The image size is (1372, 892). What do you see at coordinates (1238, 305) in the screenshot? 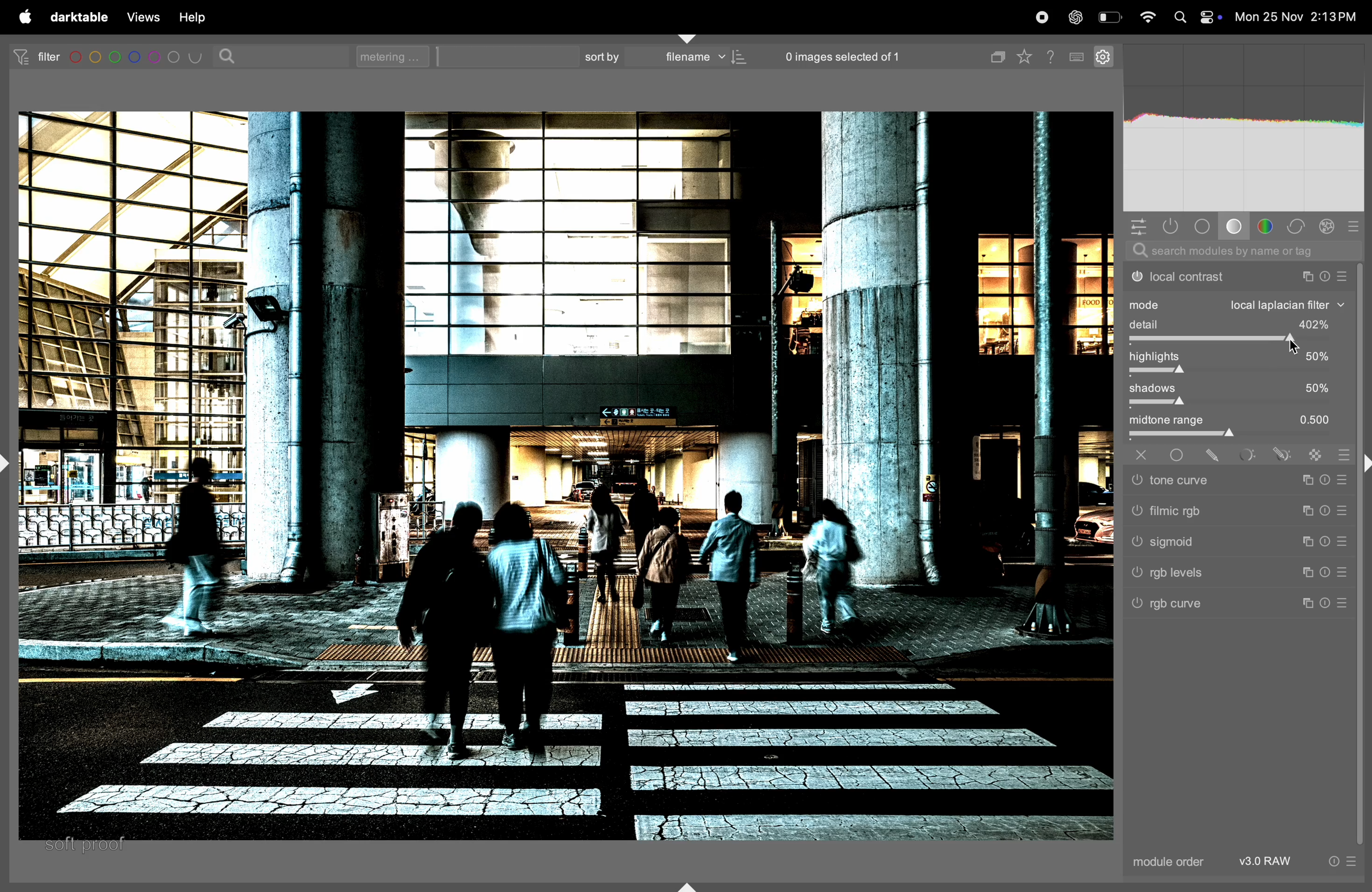
I see `mode` at bounding box center [1238, 305].